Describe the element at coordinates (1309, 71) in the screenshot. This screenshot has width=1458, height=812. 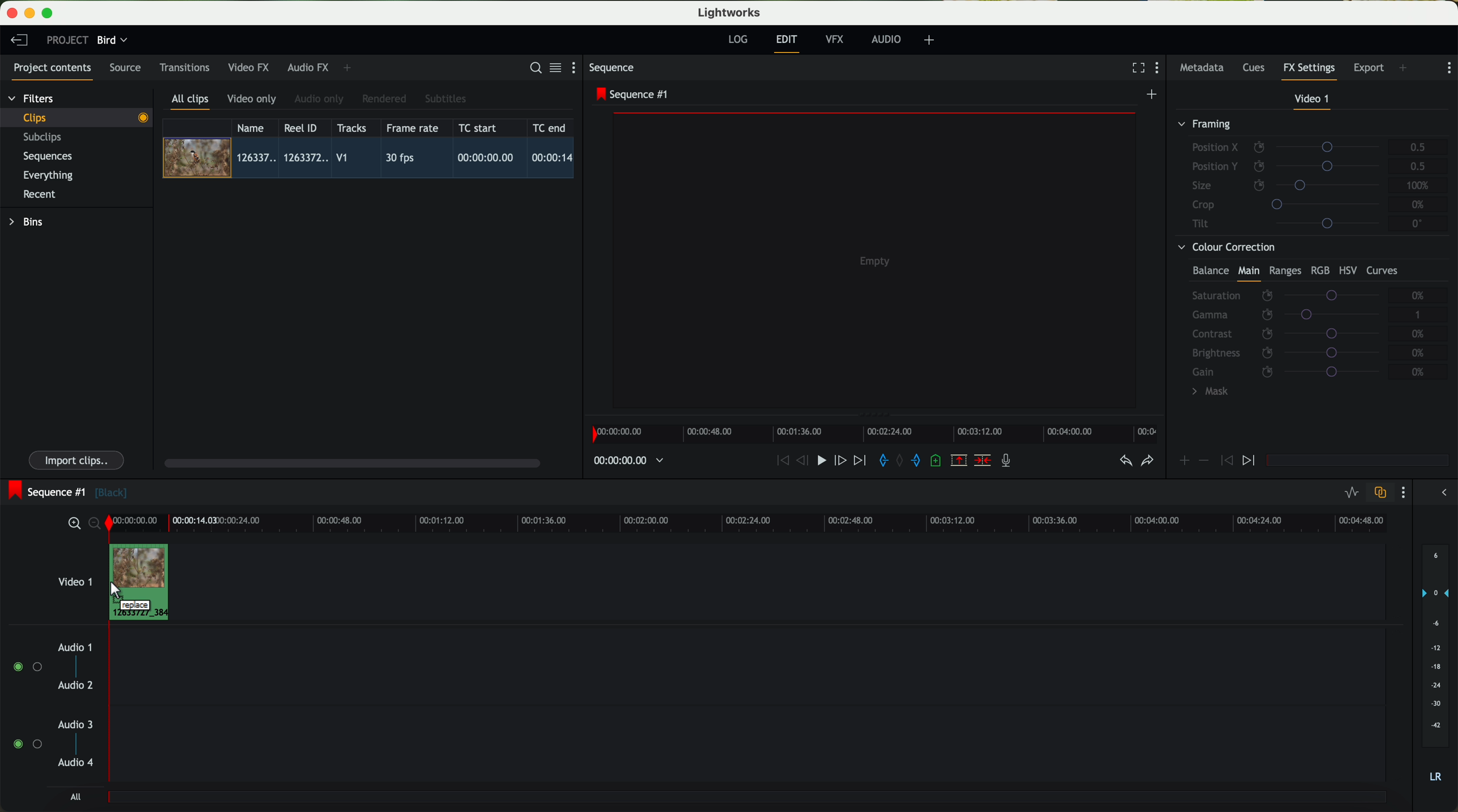
I see `fx settings` at that location.